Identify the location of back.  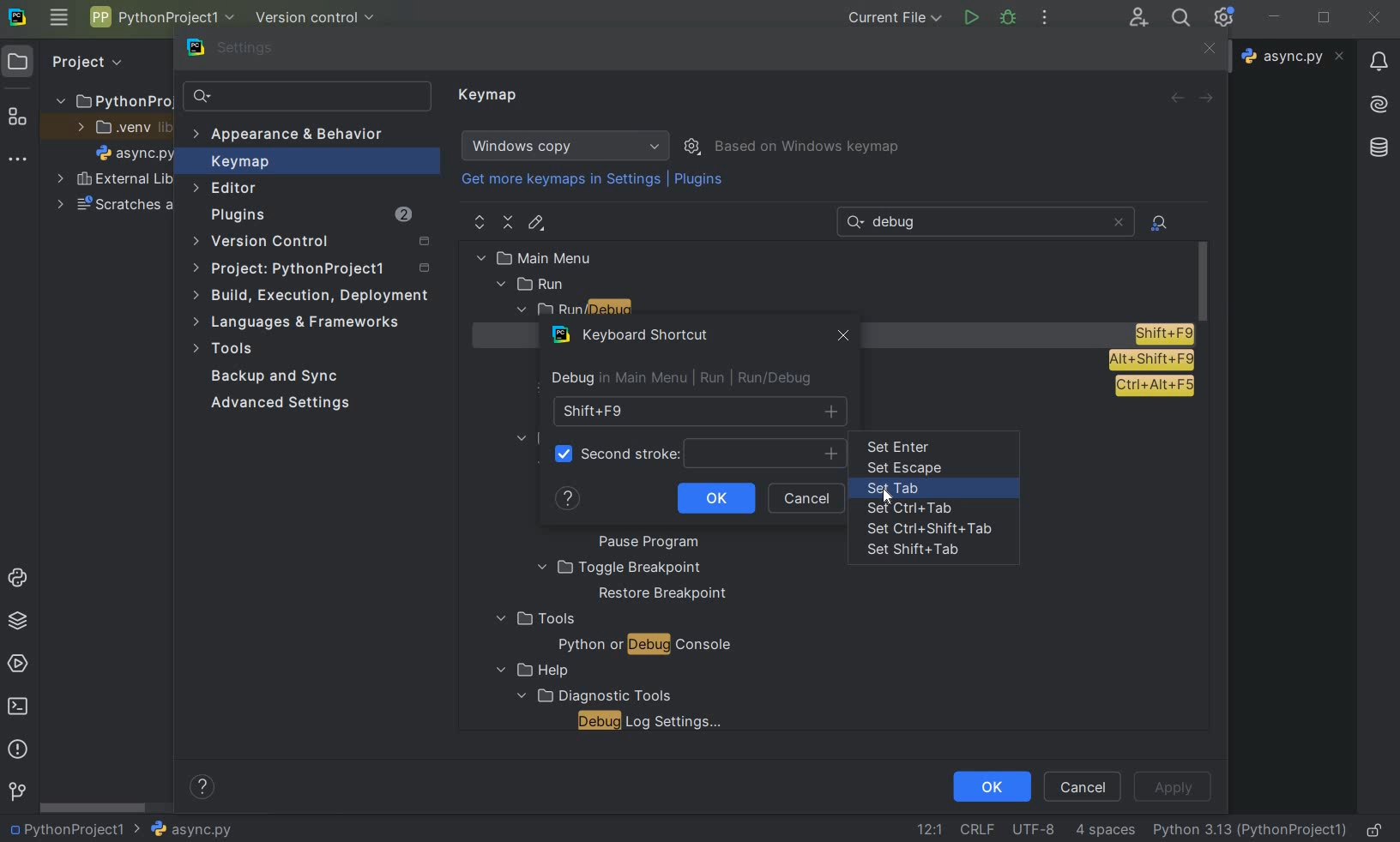
(1176, 98).